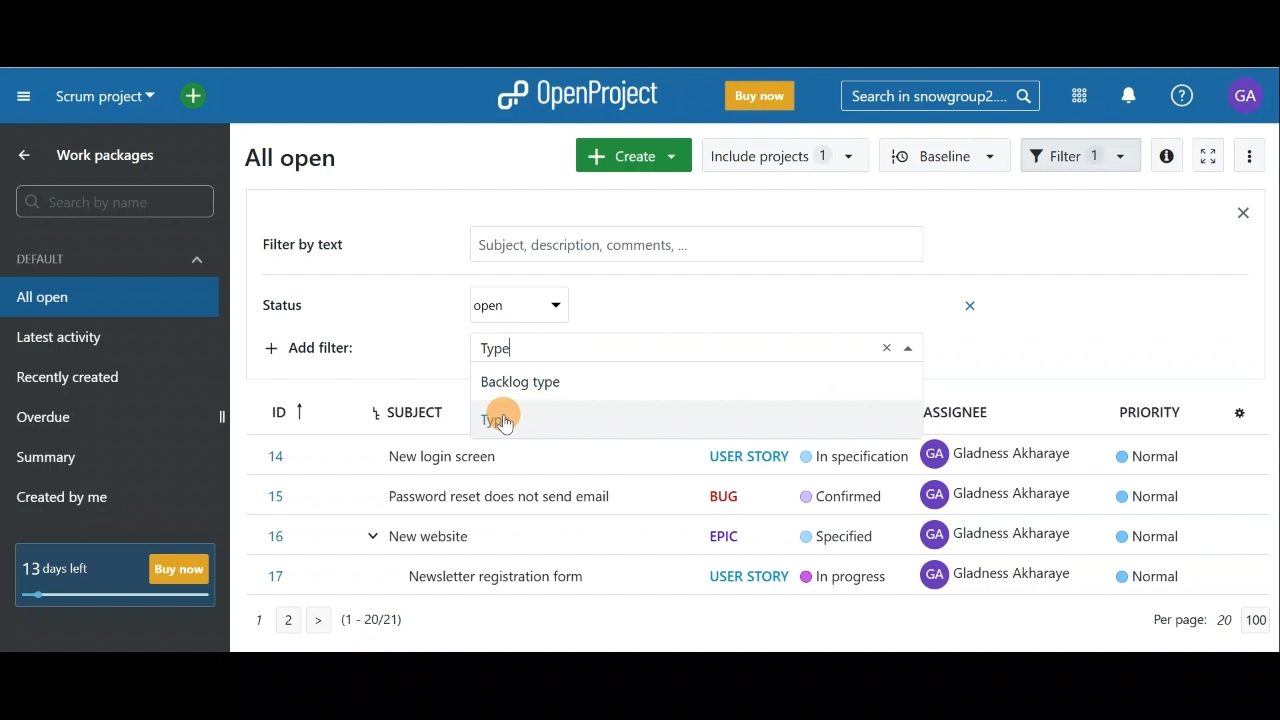 The height and width of the screenshot is (720, 1280). Describe the element at coordinates (1242, 217) in the screenshot. I see `Close` at that location.